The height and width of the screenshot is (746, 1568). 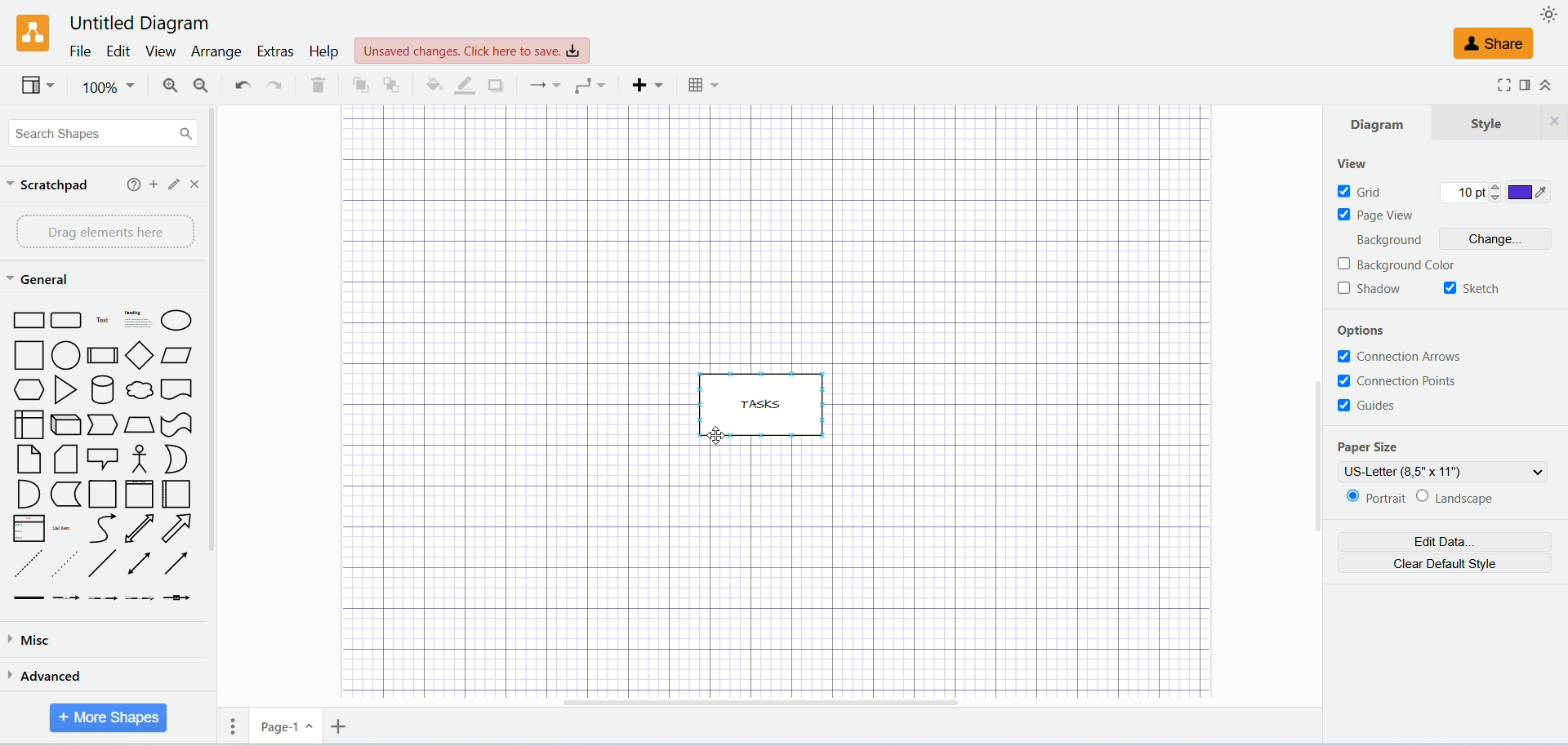 What do you see at coordinates (103, 318) in the screenshot?
I see `Text` at bounding box center [103, 318].